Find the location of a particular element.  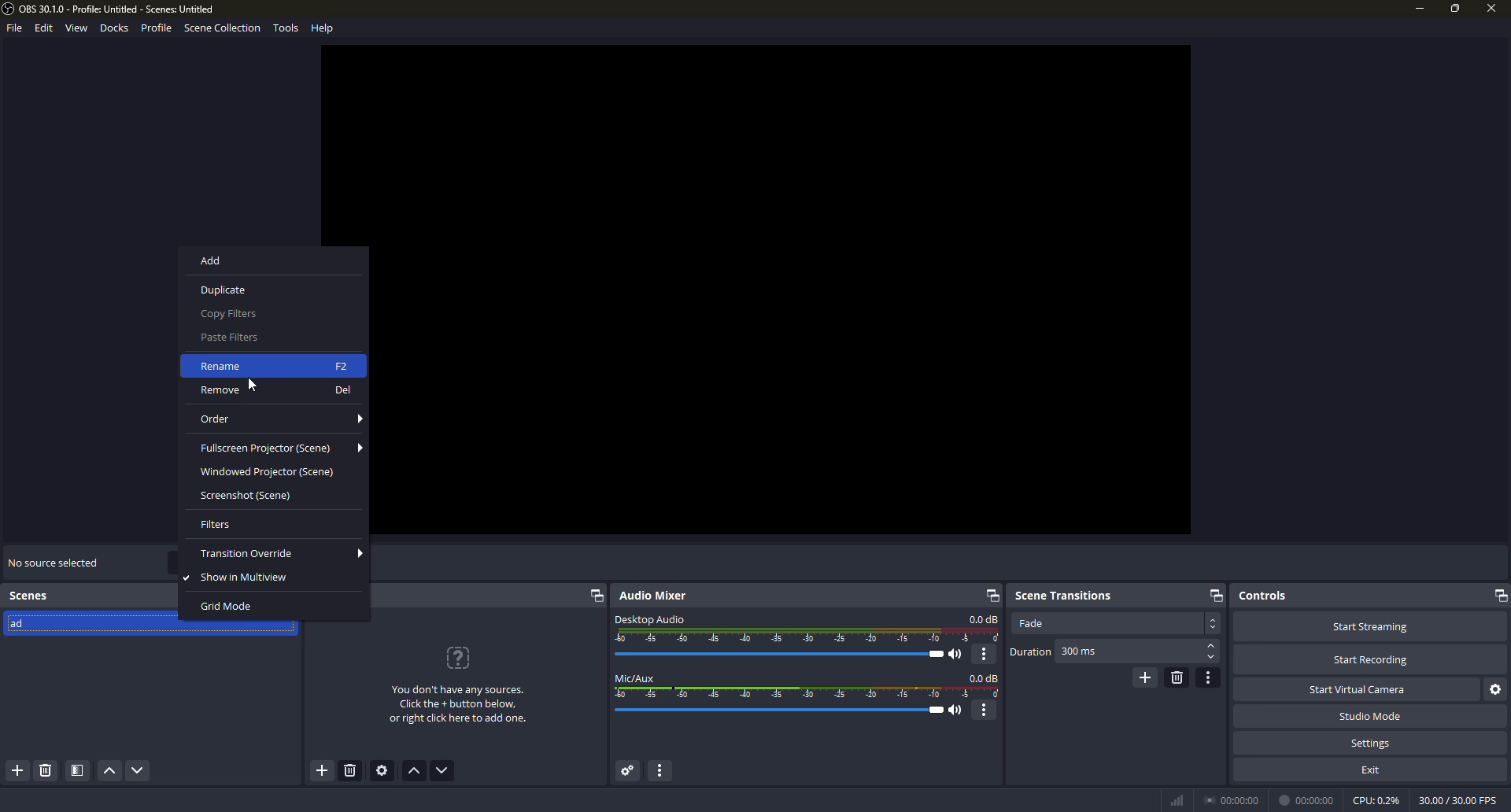

Add is located at coordinates (271, 264).